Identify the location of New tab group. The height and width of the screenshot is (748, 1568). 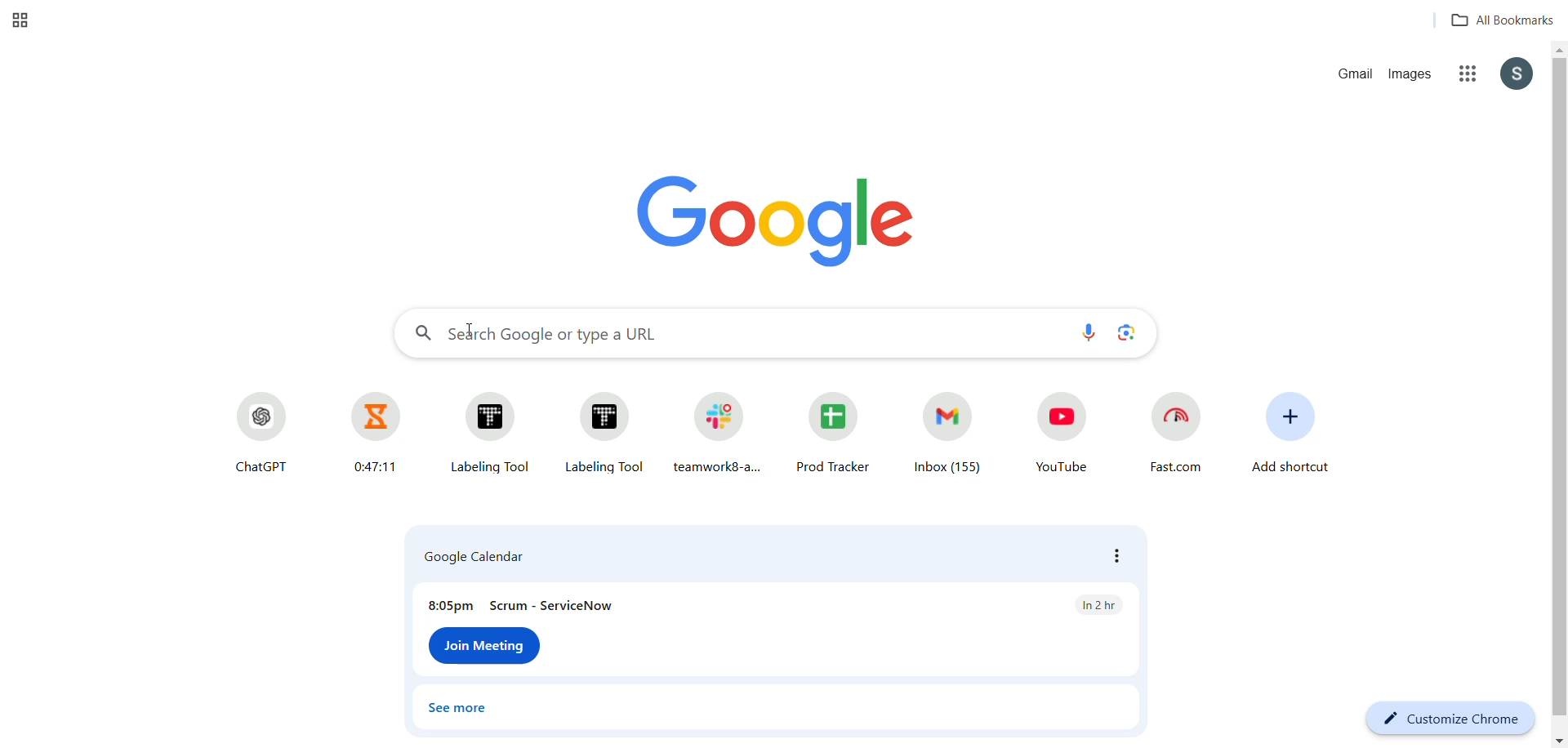
(24, 21).